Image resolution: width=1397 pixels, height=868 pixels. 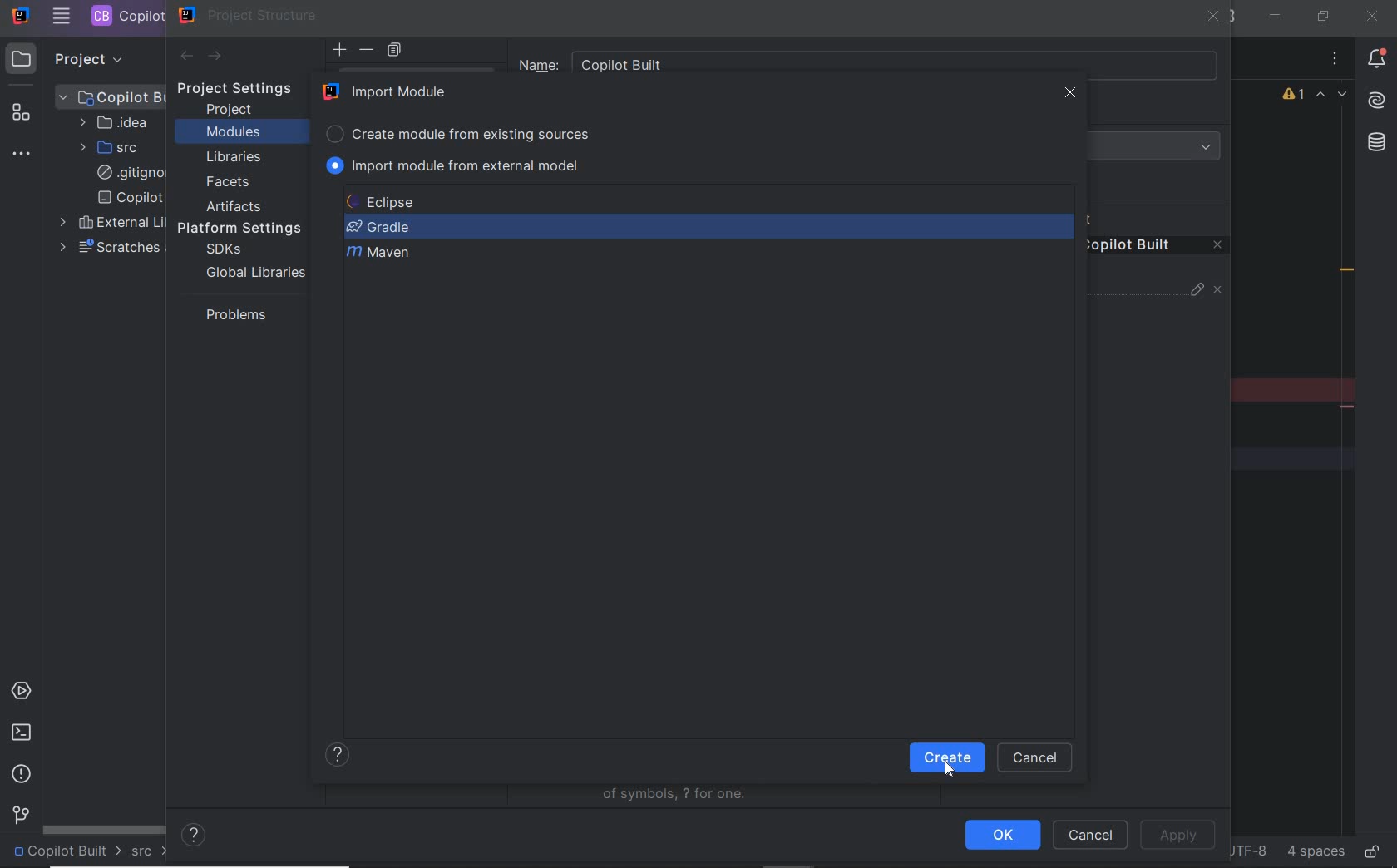 What do you see at coordinates (1335, 61) in the screenshot?
I see `options` at bounding box center [1335, 61].